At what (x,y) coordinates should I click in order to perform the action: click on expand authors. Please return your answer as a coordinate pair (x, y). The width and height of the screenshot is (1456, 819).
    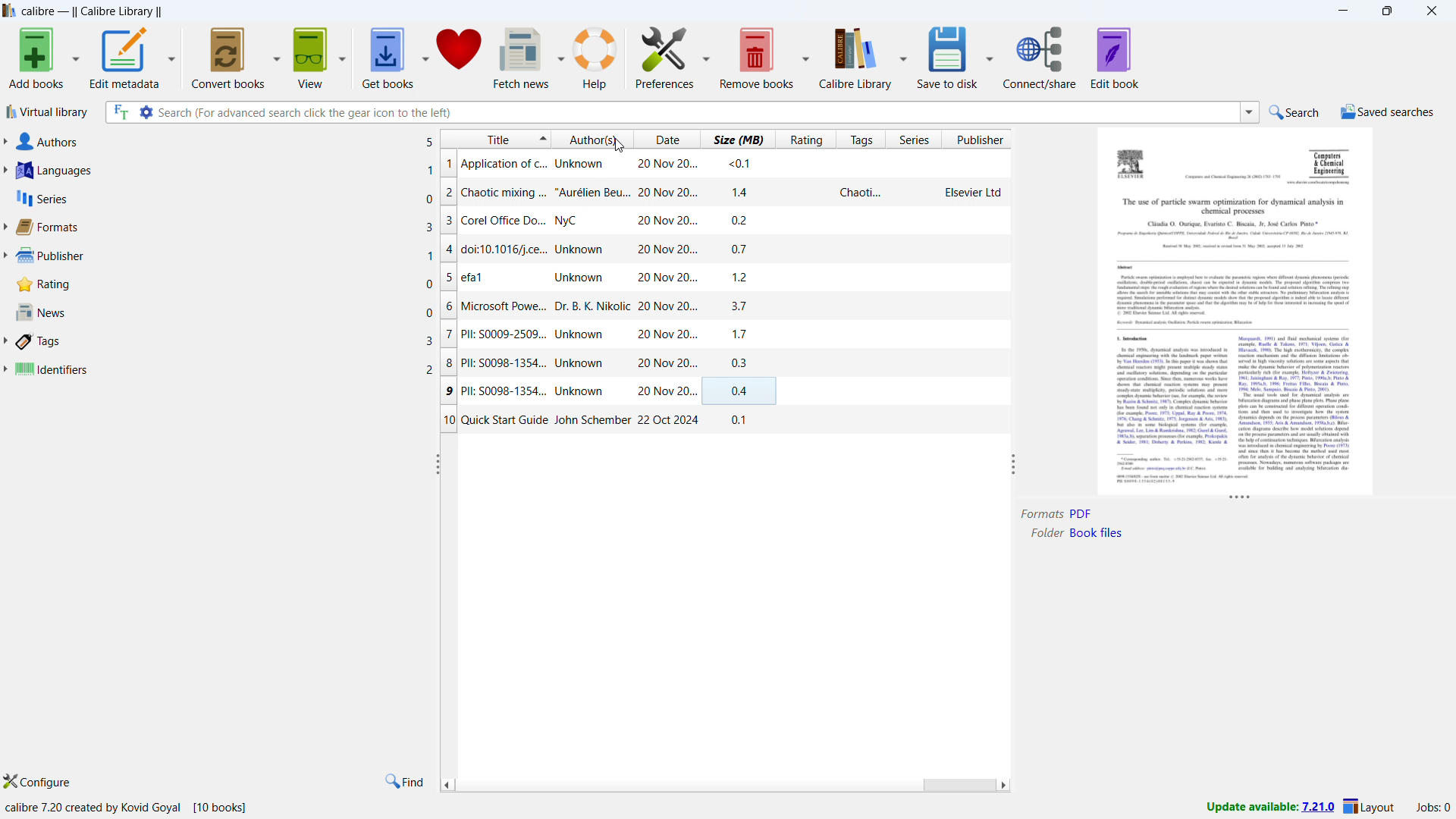
    Looking at the image, I should click on (5, 140).